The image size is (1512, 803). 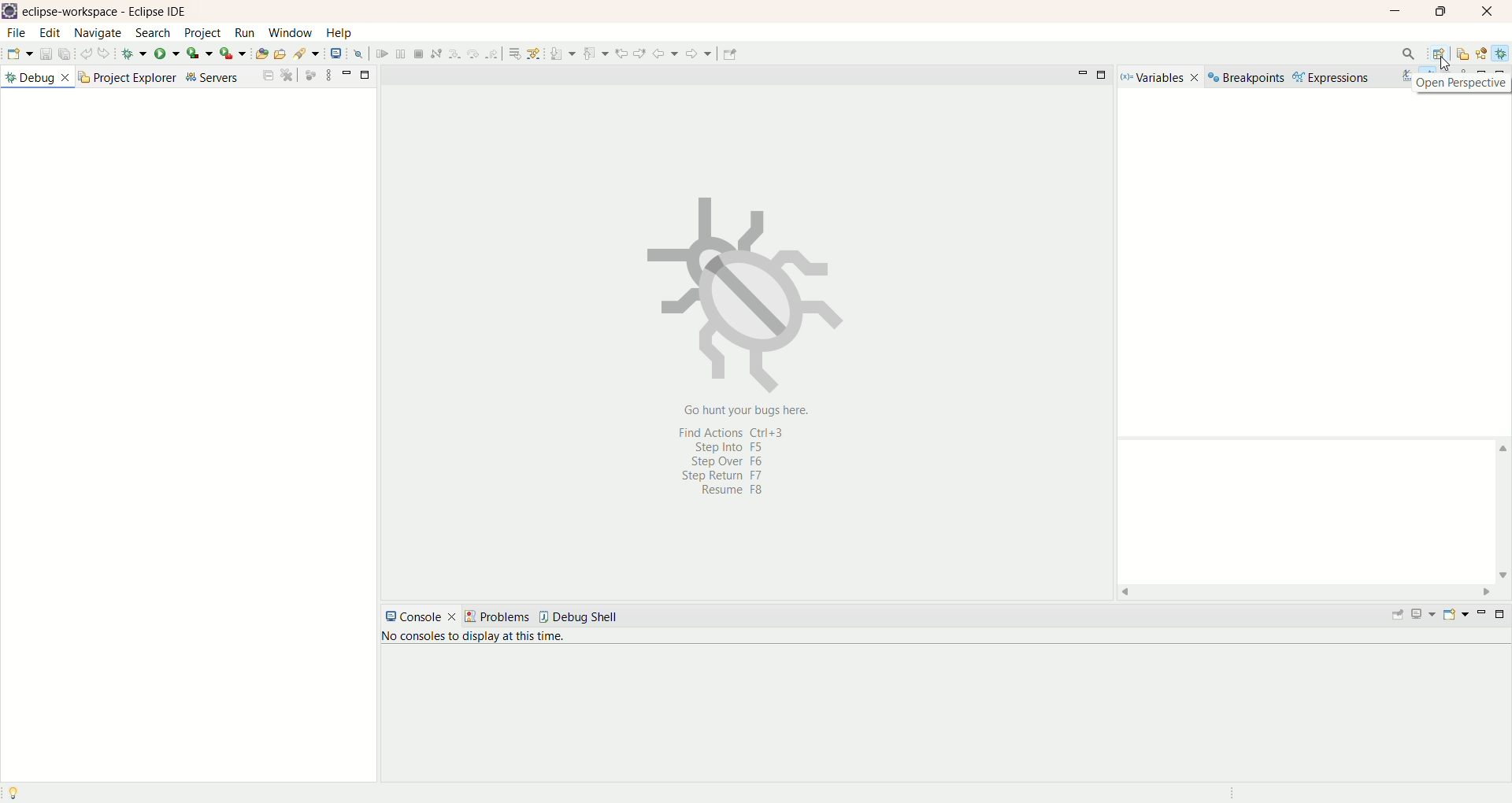 What do you see at coordinates (154, 32) in the screenshot?
I see `search` at bounding box center [154, 32].